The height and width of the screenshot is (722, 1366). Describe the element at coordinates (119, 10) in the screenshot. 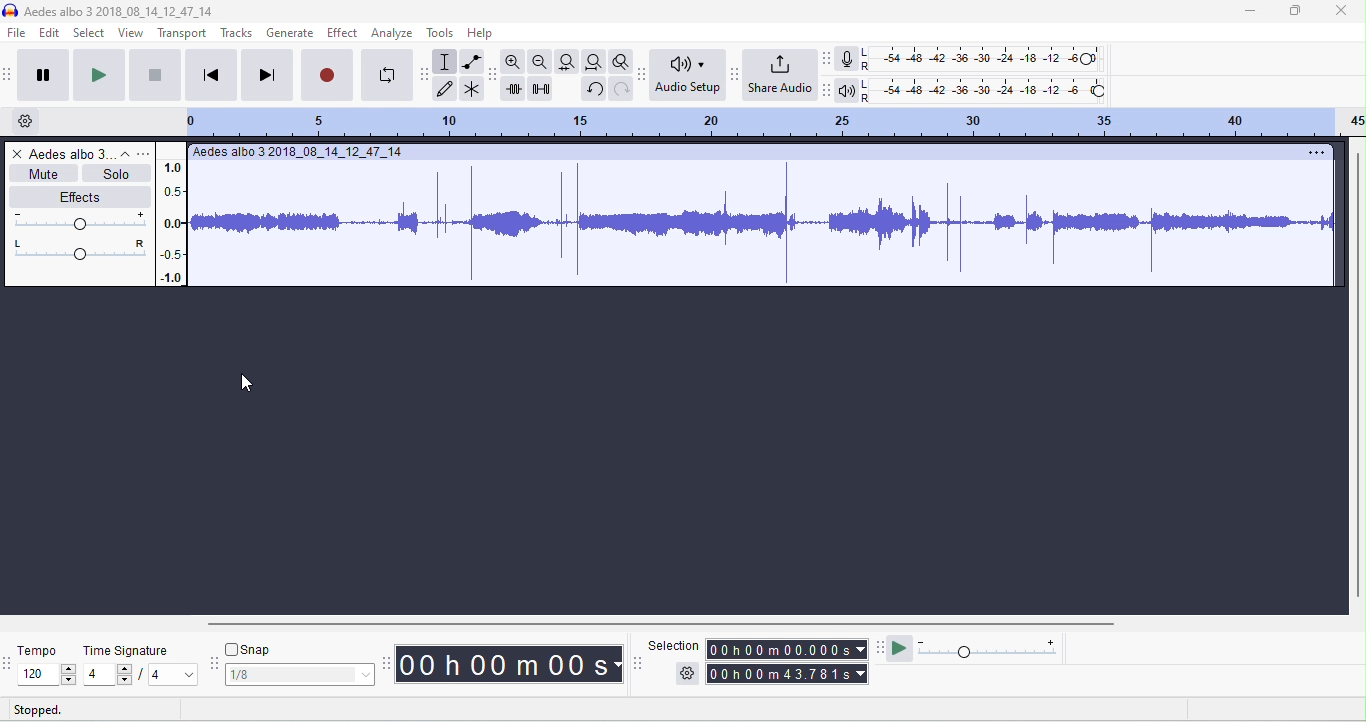

I see `title` at that location.